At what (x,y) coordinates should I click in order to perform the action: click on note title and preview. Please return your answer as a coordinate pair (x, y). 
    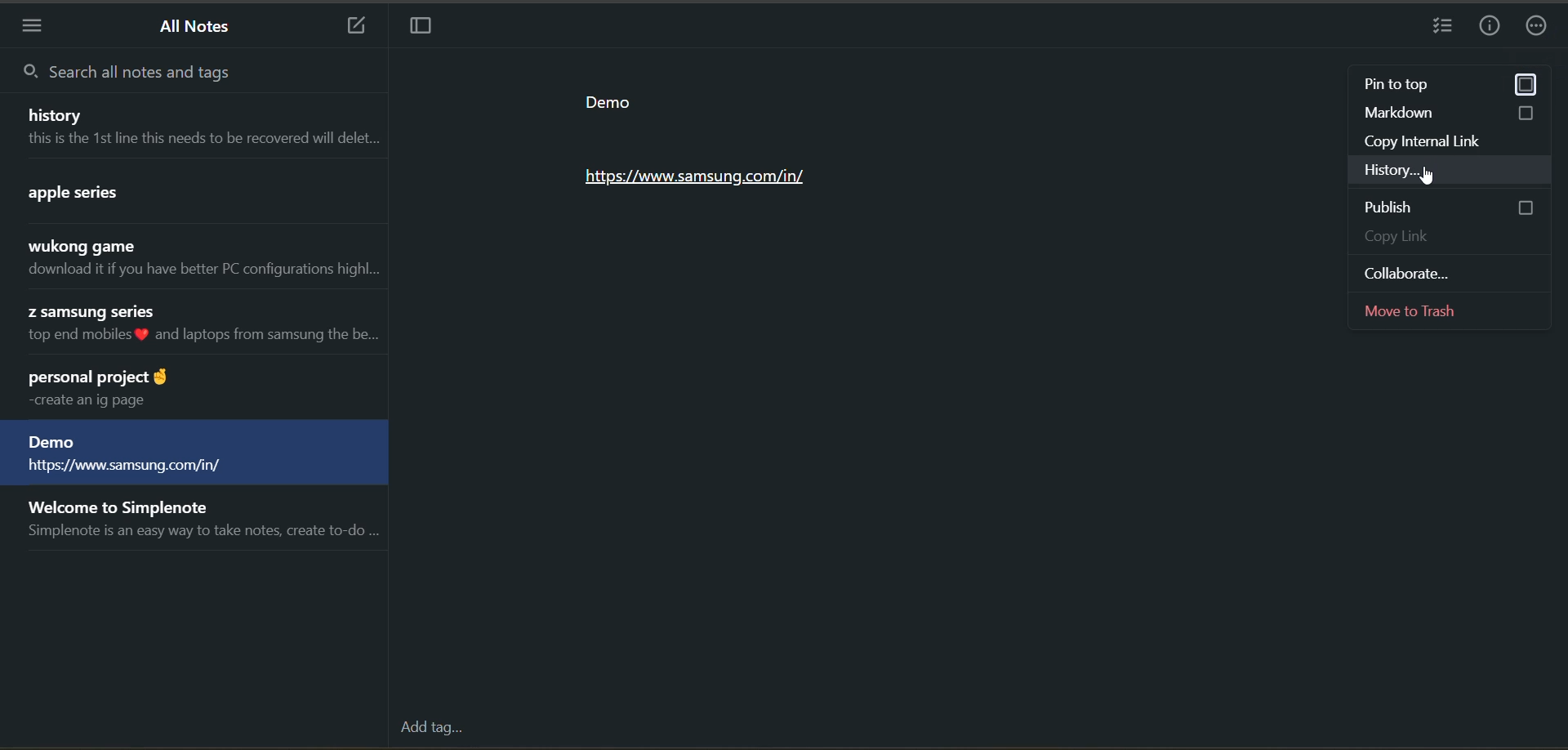
    Looking at the image, I should click on (189, 389).